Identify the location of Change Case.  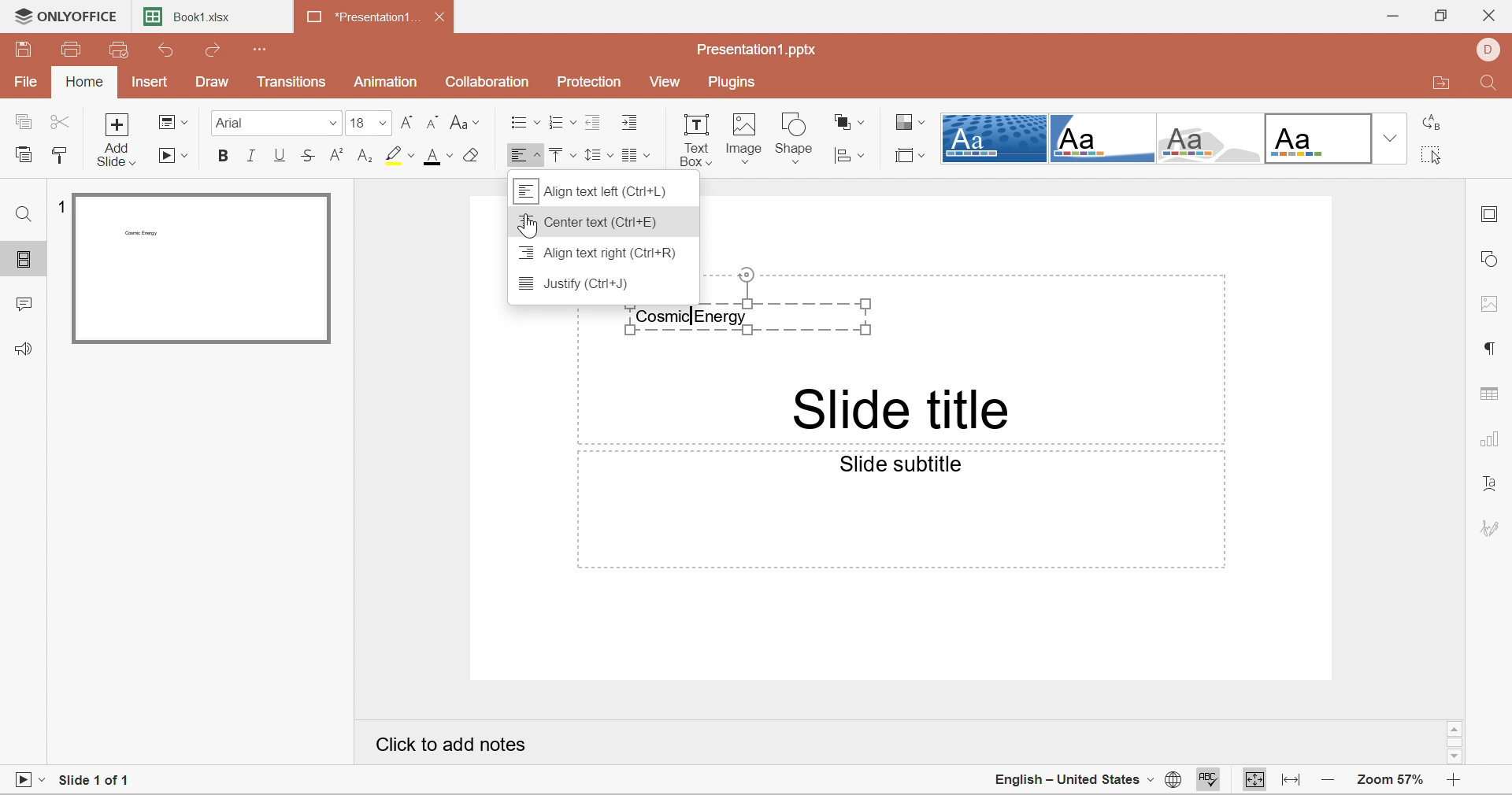
(465, 122).